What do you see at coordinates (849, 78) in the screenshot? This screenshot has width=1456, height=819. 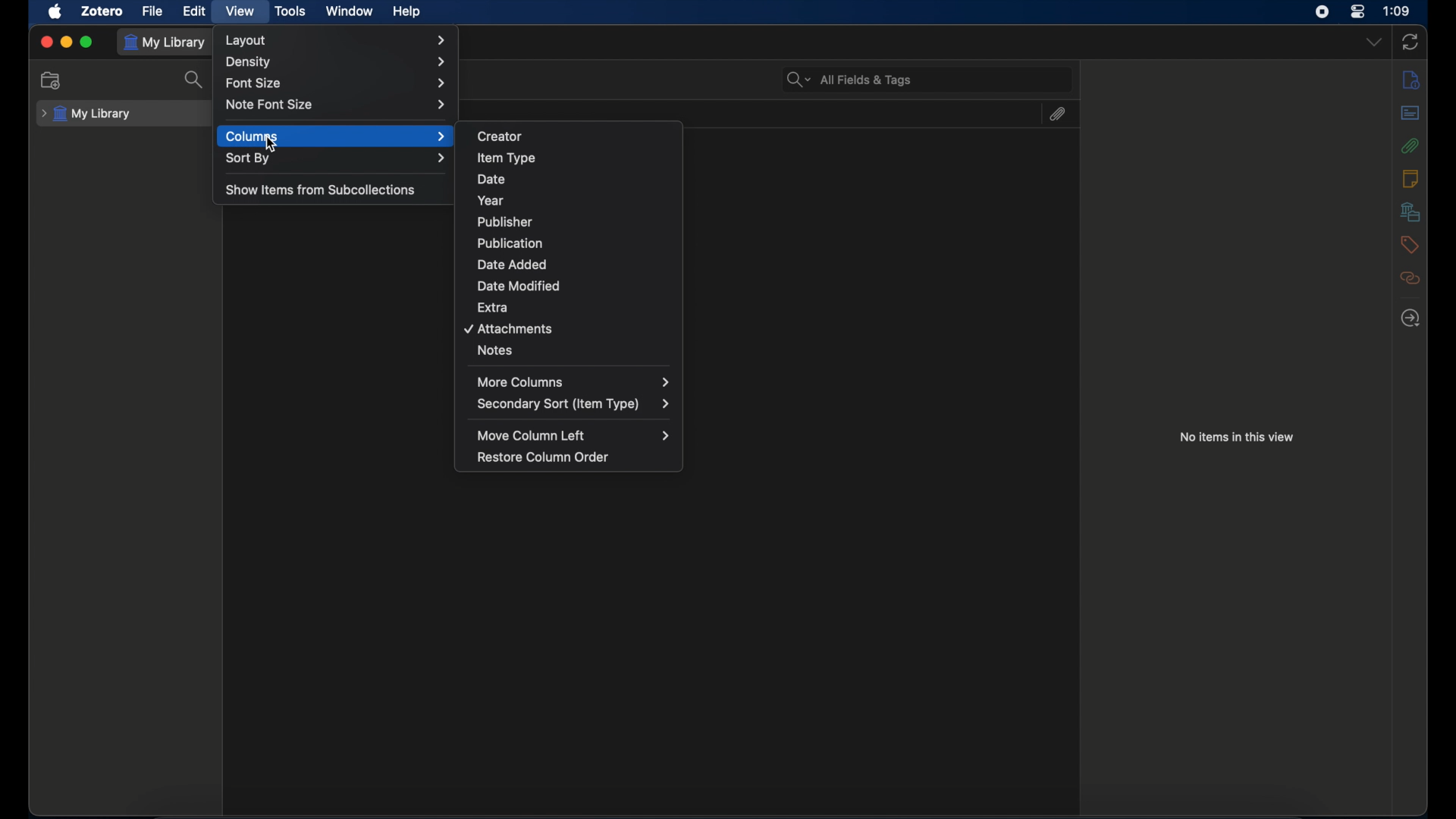 I see `search bar` at bounding box center [849, 78].